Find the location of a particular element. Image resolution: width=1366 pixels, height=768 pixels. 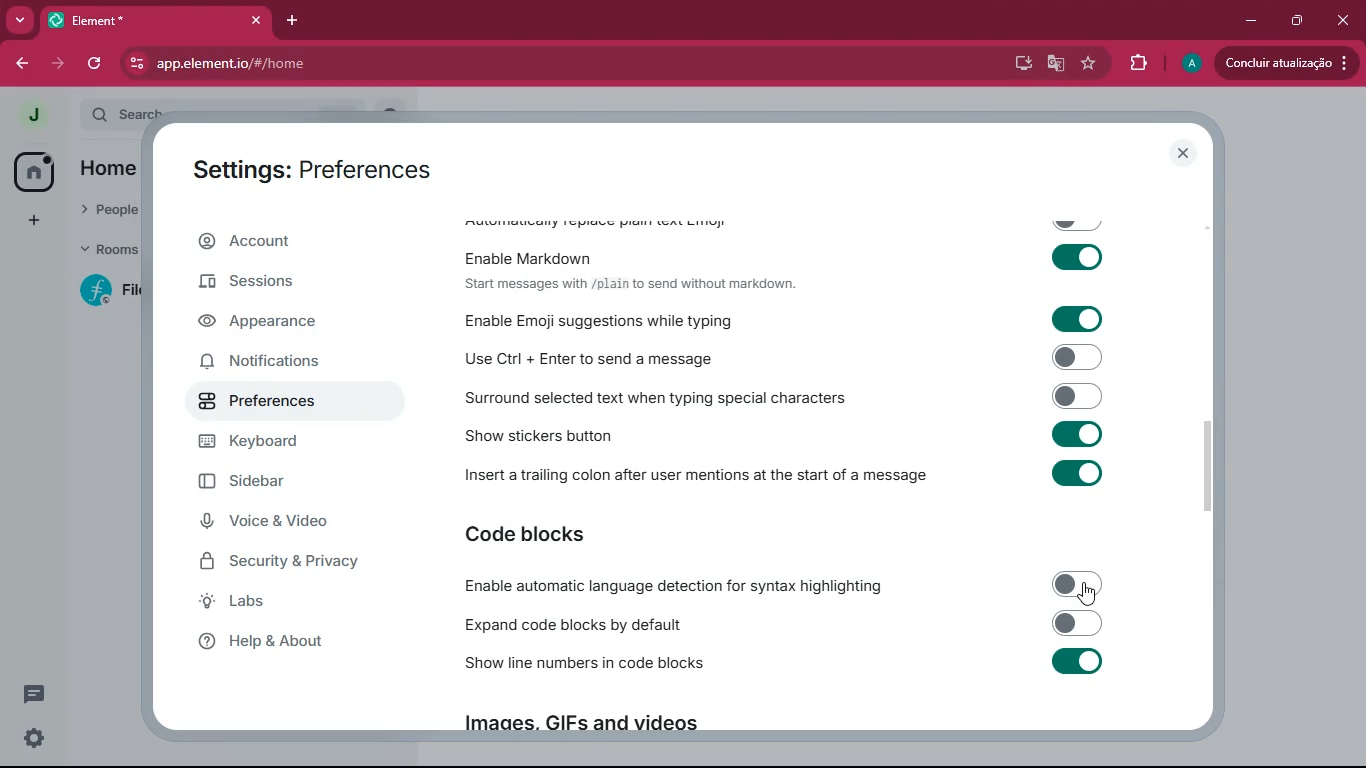

Show stickers button is located at coordinates (787, 435).